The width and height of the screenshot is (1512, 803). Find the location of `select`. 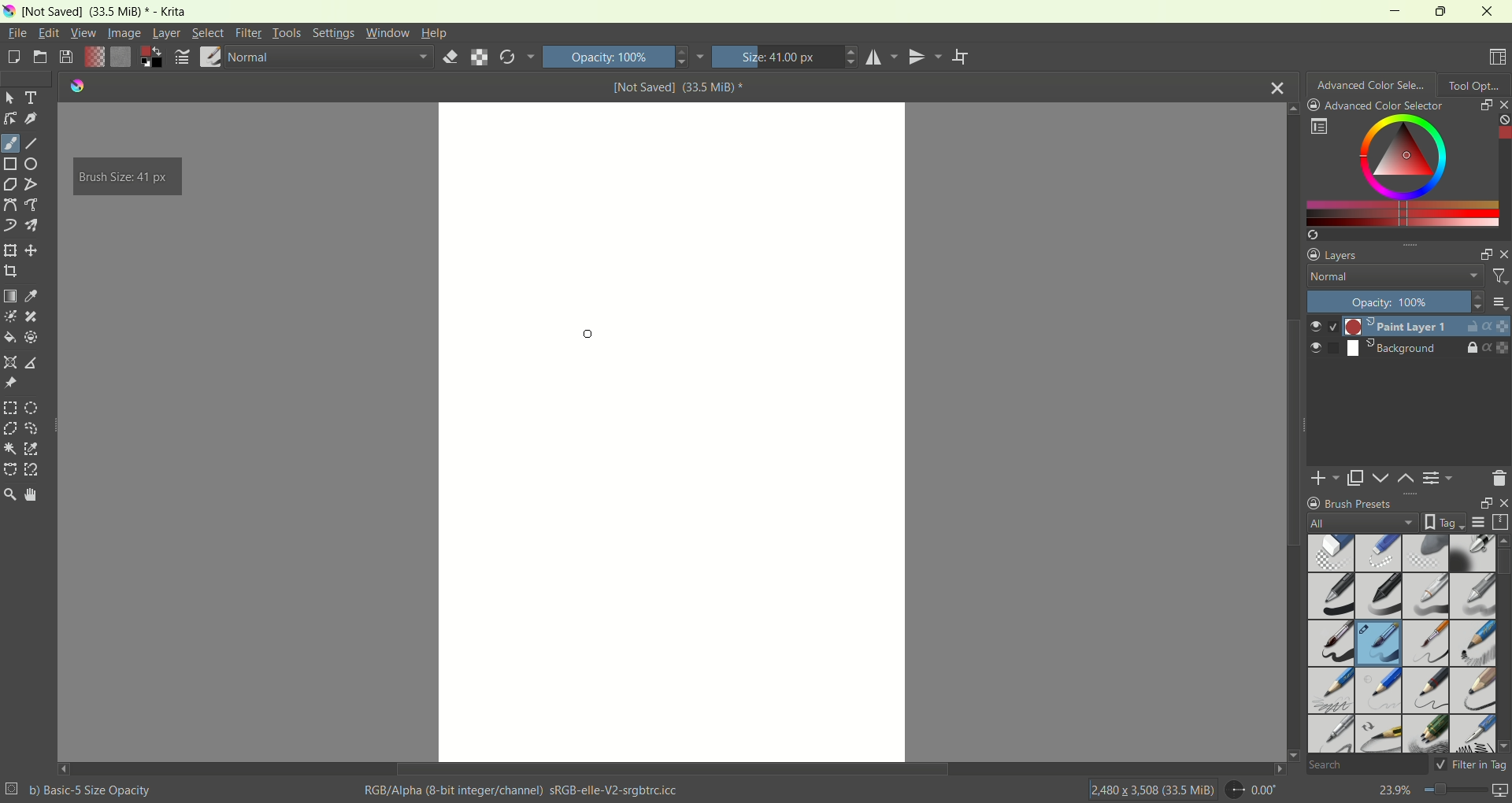

select is located at coordinates (206, 32).